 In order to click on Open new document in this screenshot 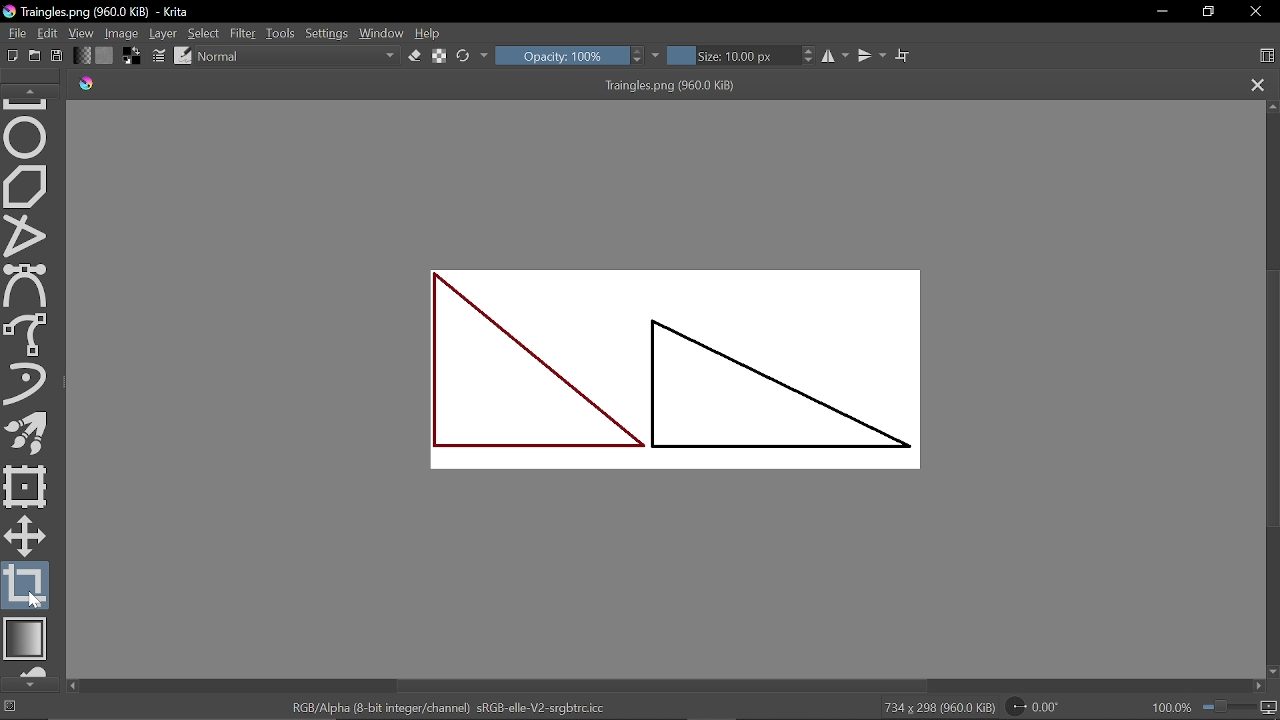, I will do `click(35, 56)`.